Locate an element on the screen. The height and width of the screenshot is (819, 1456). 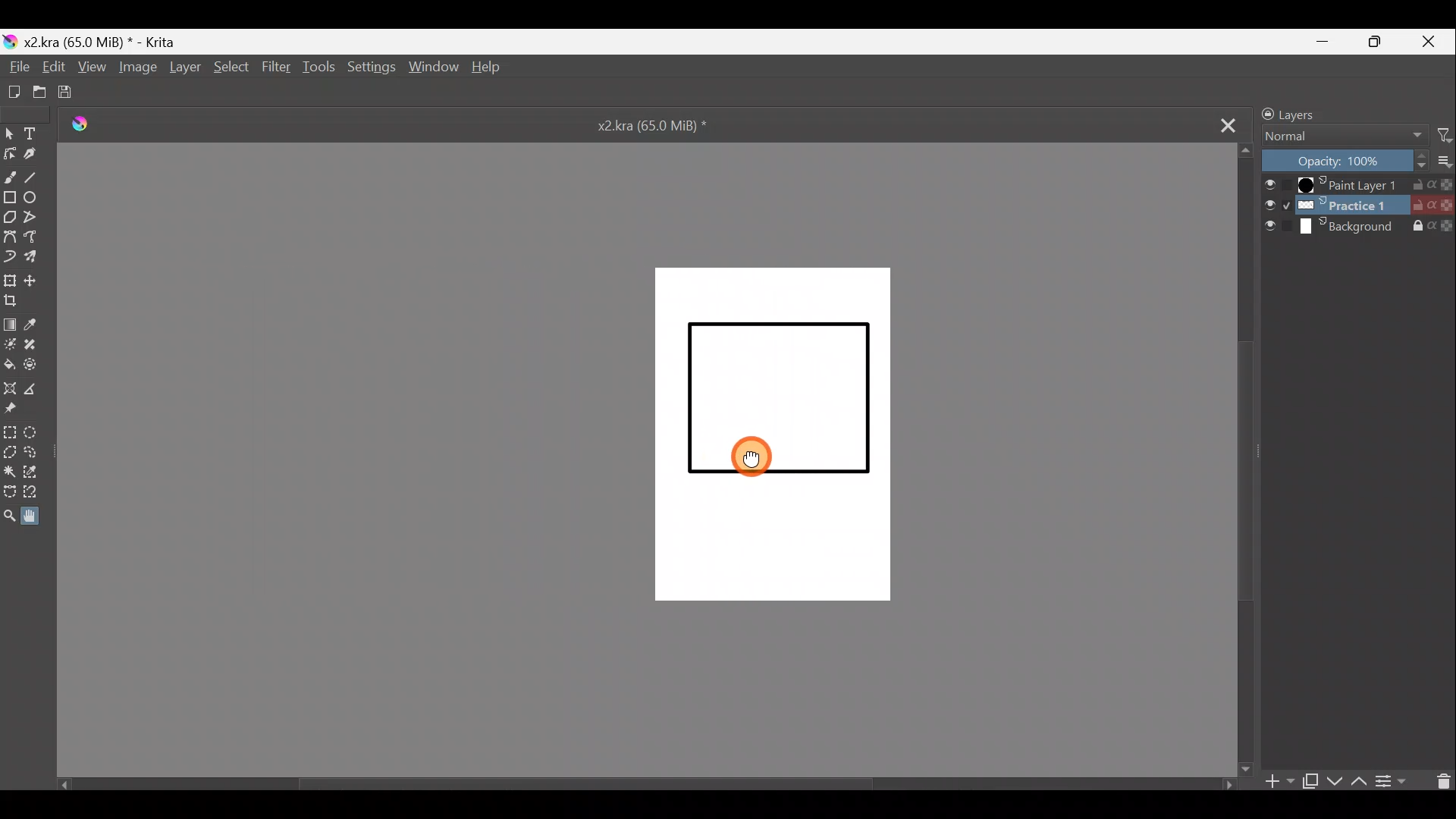
Select is located at coordinates (231, 71).